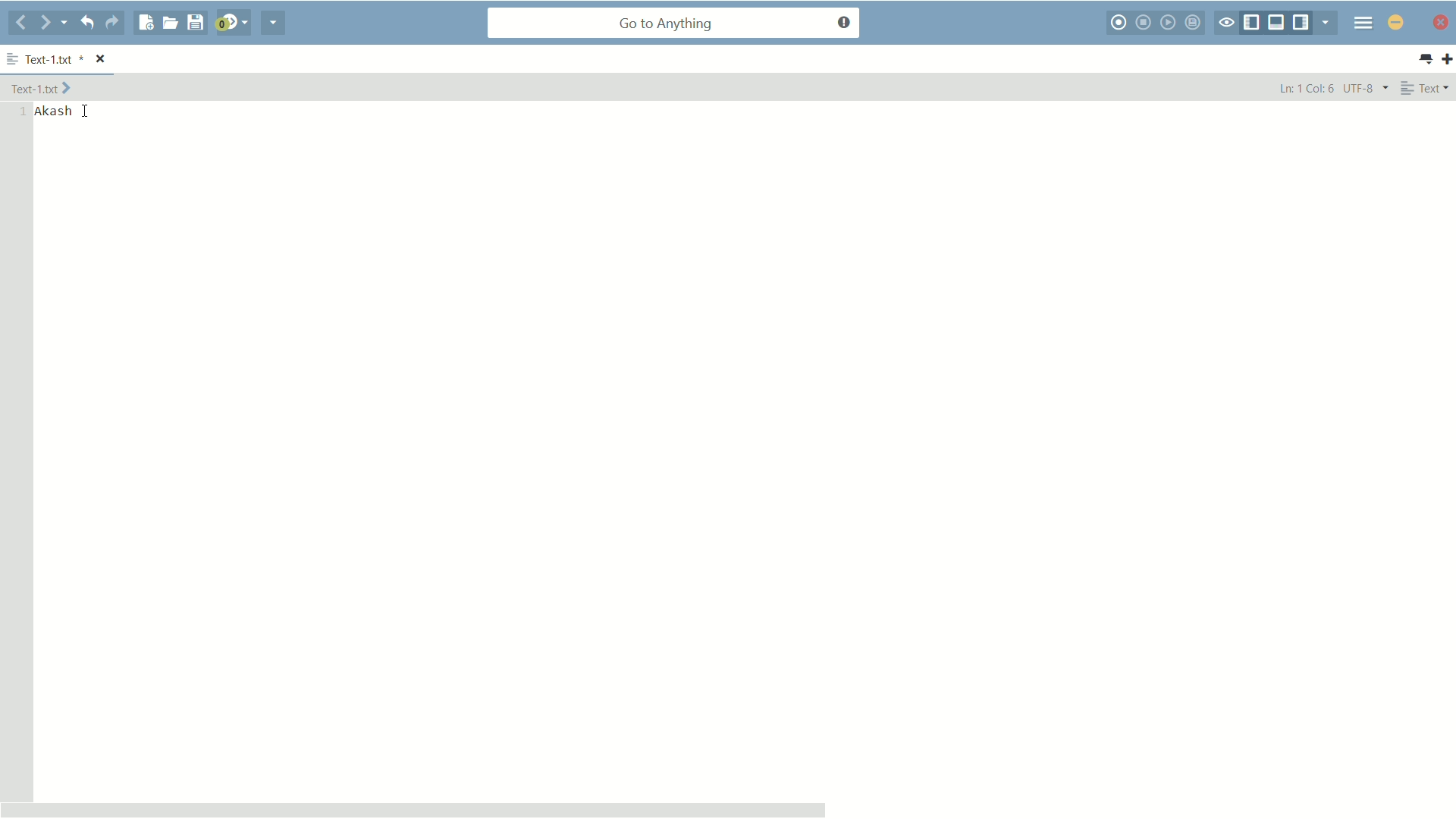 The width and height of the screenshot is (1456, 819). What do you see at coordinates (54, 23) in the screenshot?
I see `forward` at bounding box center [54, 23].